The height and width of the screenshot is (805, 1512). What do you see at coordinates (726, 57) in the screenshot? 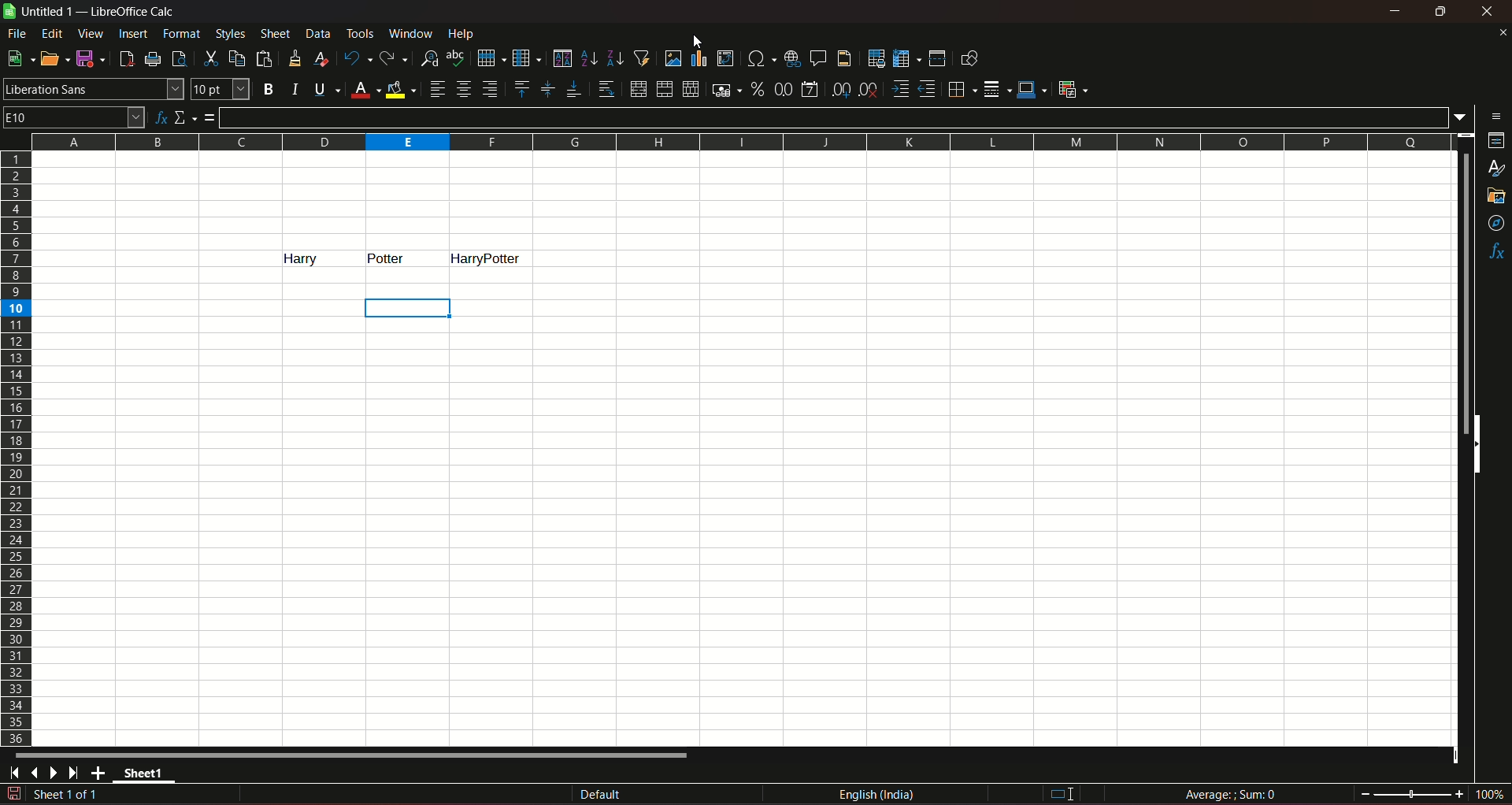
I see `insert or edit pivot table` at bounding box center [726, 57].